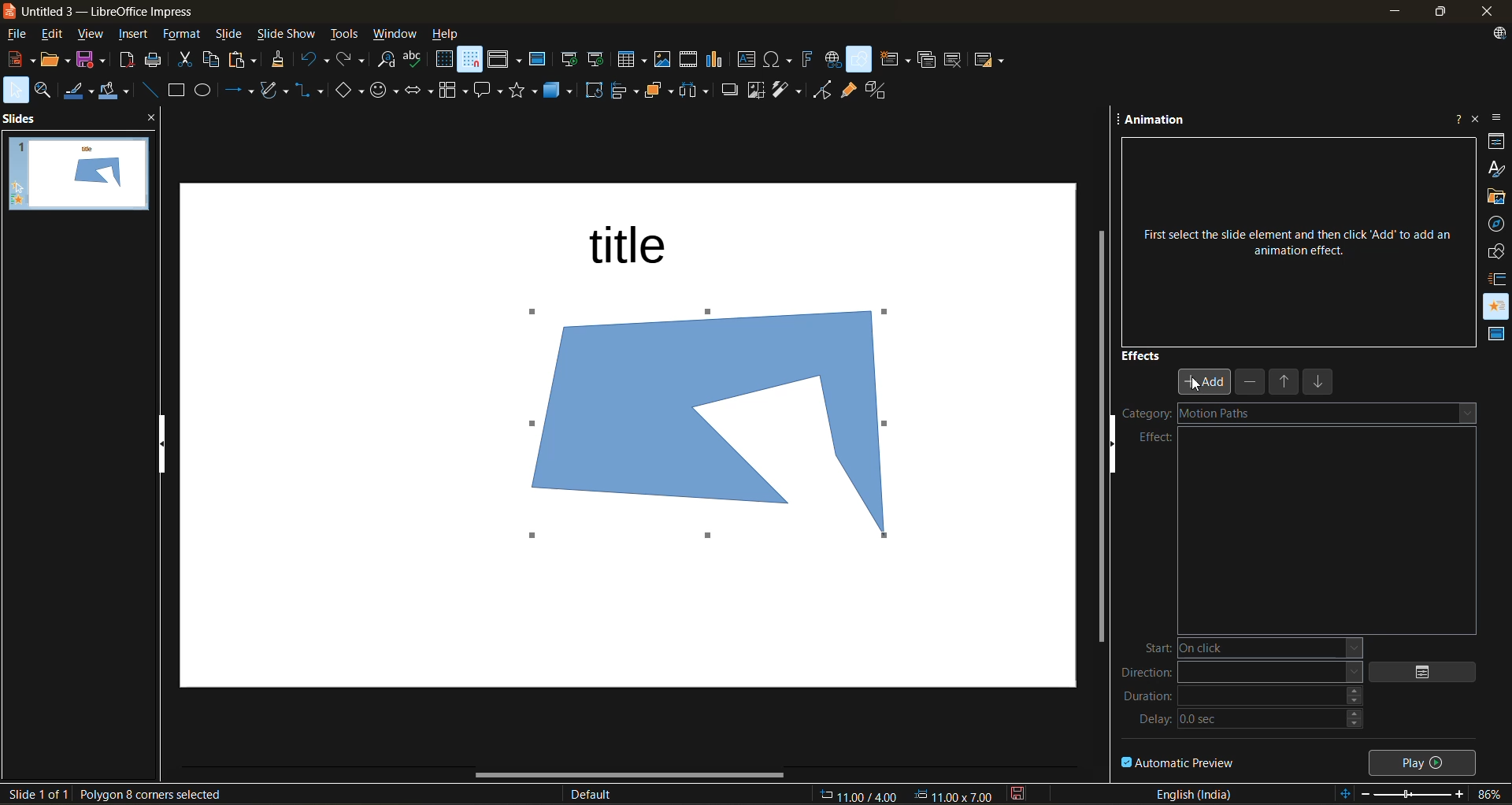 Image resolution: width=1512 pixels, height=805 pixels. I want to click on slides, so click(87, 173).